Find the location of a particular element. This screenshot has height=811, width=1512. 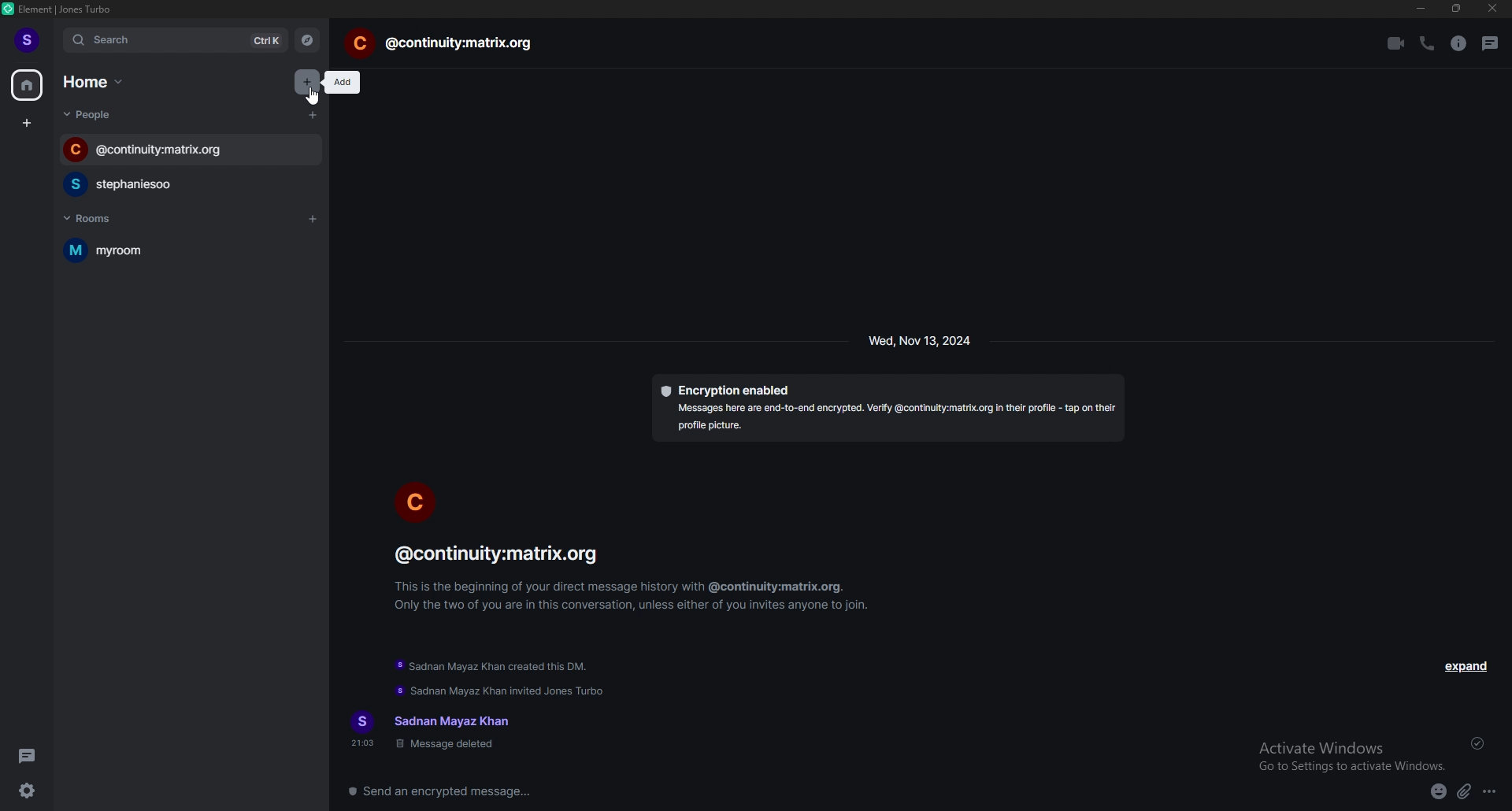

myroom is located at coordinates (153, 250).